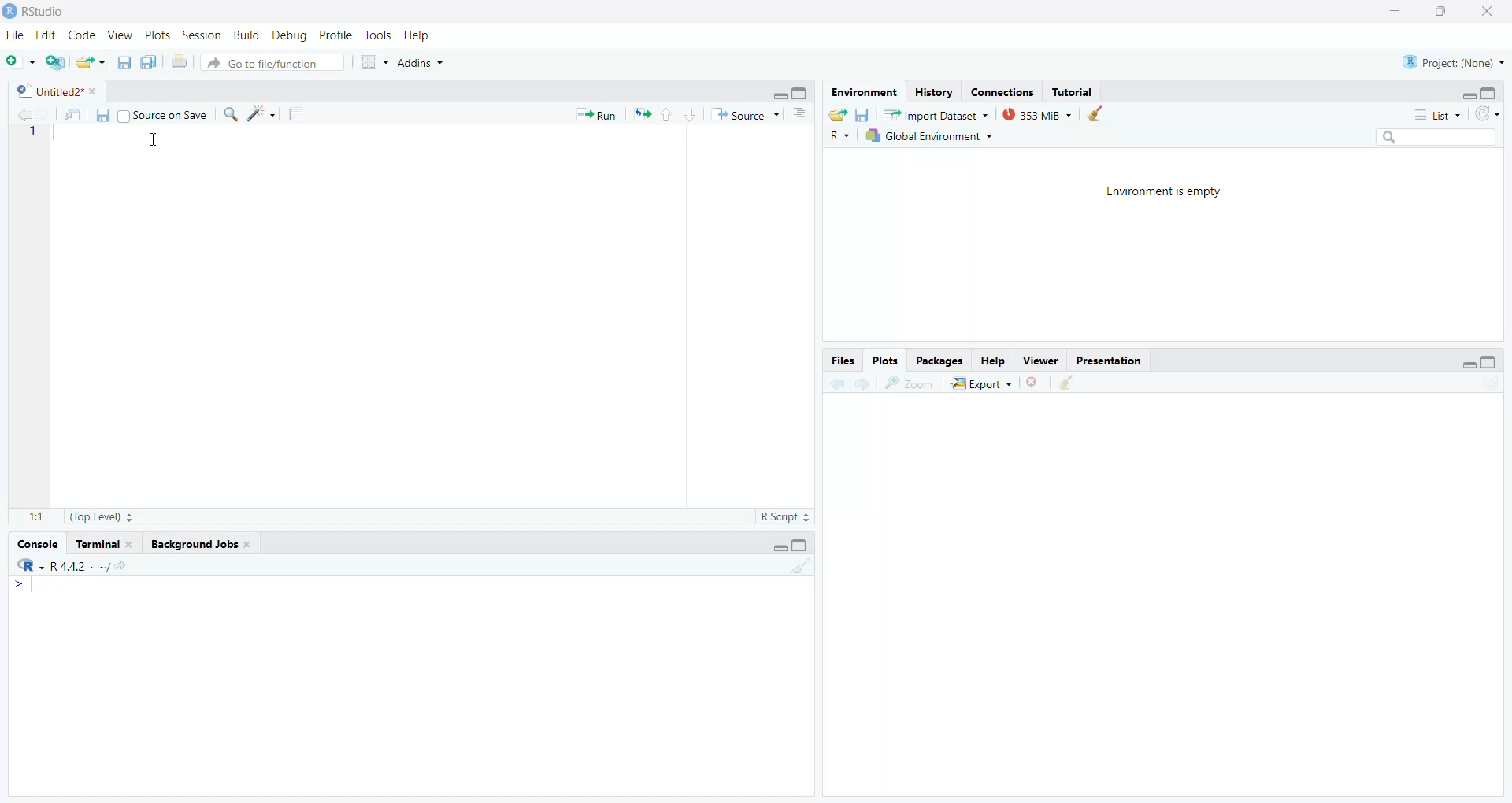 This screenshot has width=1512, height=803. Describe the element at coordinates (935, 117) in the screenshot. I see ` Import Dataset ~` at that location.